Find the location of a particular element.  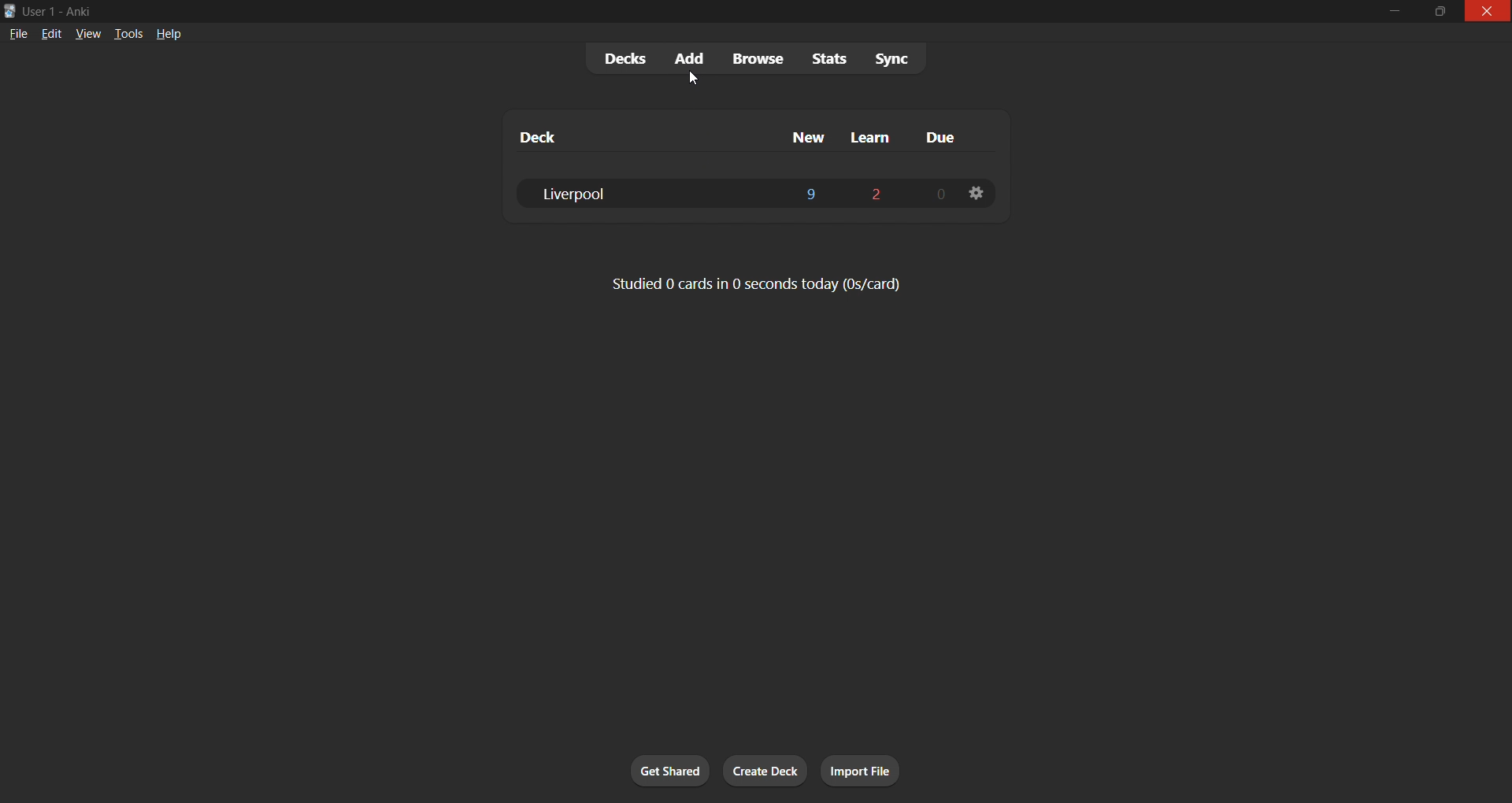

9 is located at coordinates (807, 194).